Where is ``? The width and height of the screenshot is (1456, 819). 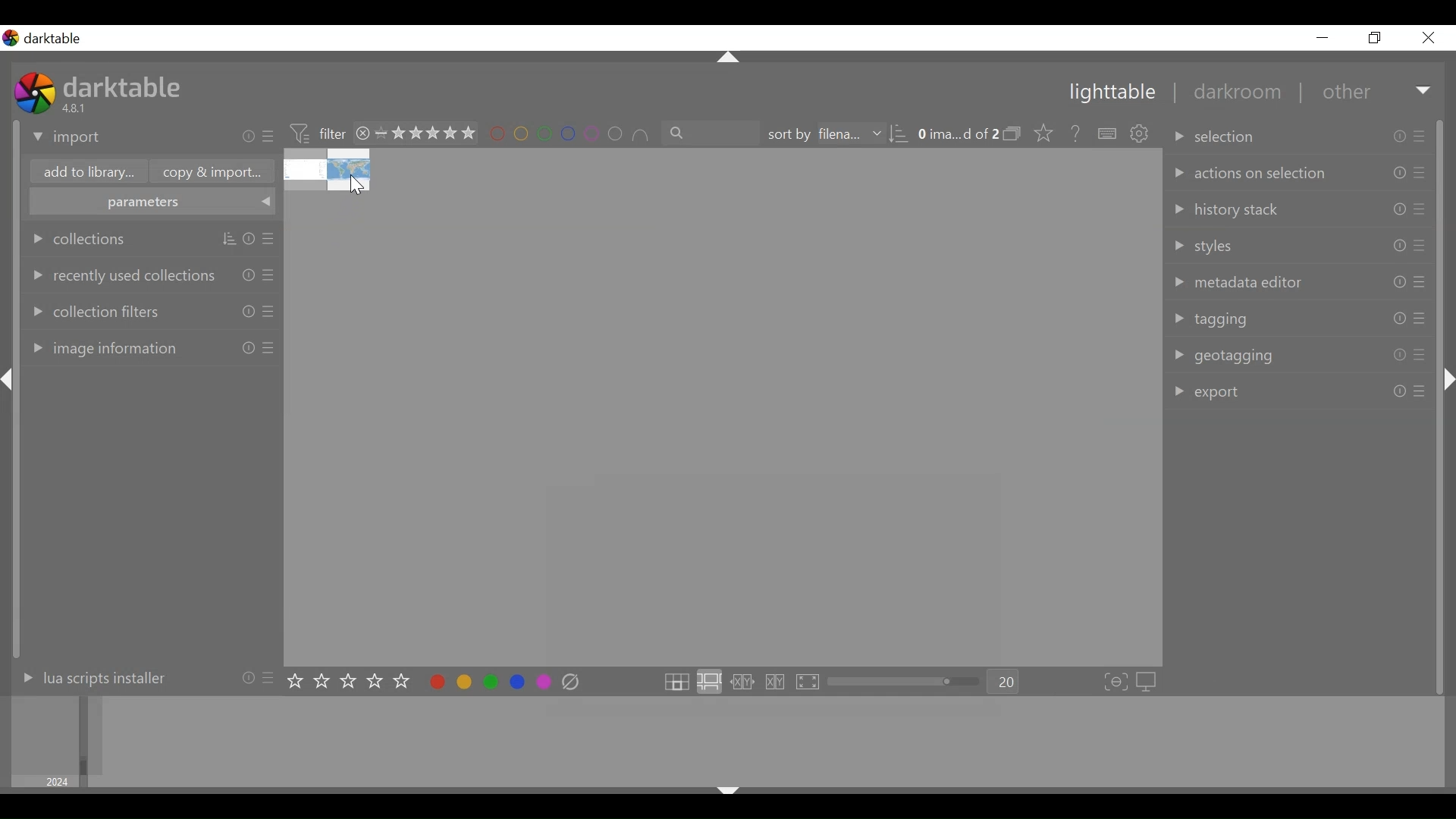
 is located at coordinates (1445, 381).